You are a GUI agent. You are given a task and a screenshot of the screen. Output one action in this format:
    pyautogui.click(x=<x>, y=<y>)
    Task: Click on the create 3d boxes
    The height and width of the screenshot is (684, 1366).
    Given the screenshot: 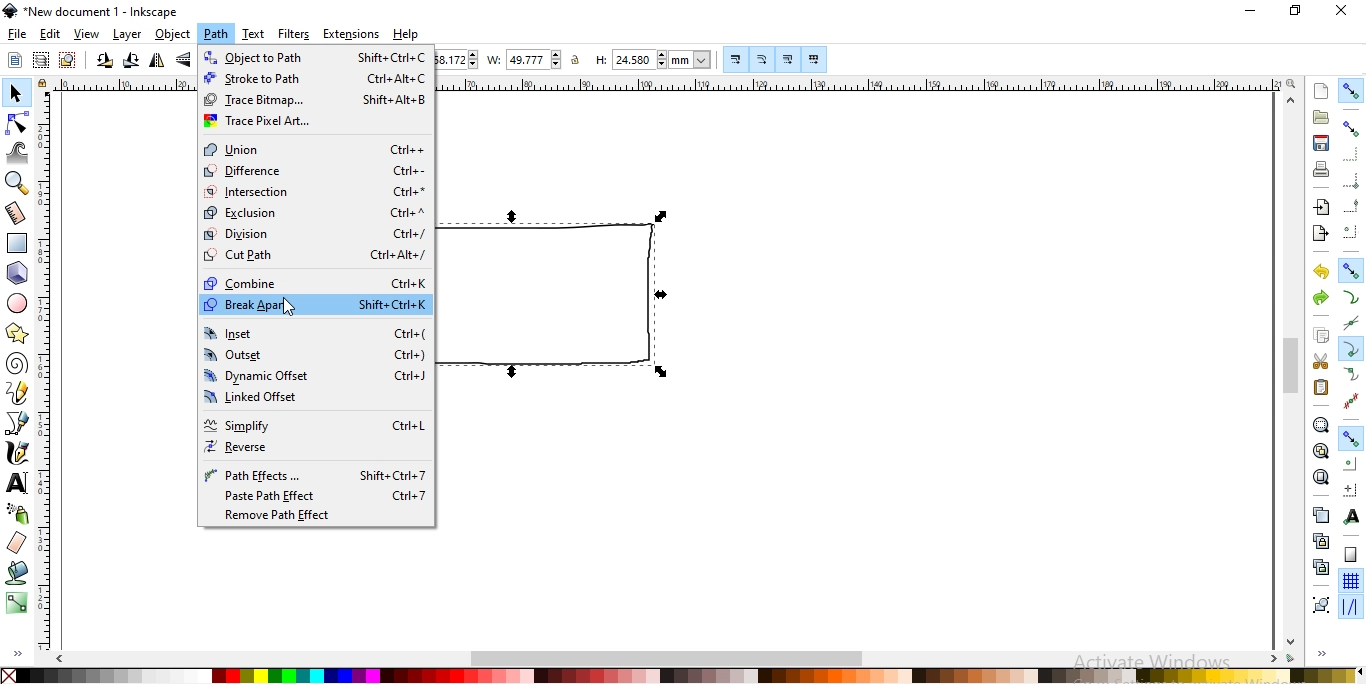 What is the action you would take?
    pyautogui.click(x=17, y=274)
    